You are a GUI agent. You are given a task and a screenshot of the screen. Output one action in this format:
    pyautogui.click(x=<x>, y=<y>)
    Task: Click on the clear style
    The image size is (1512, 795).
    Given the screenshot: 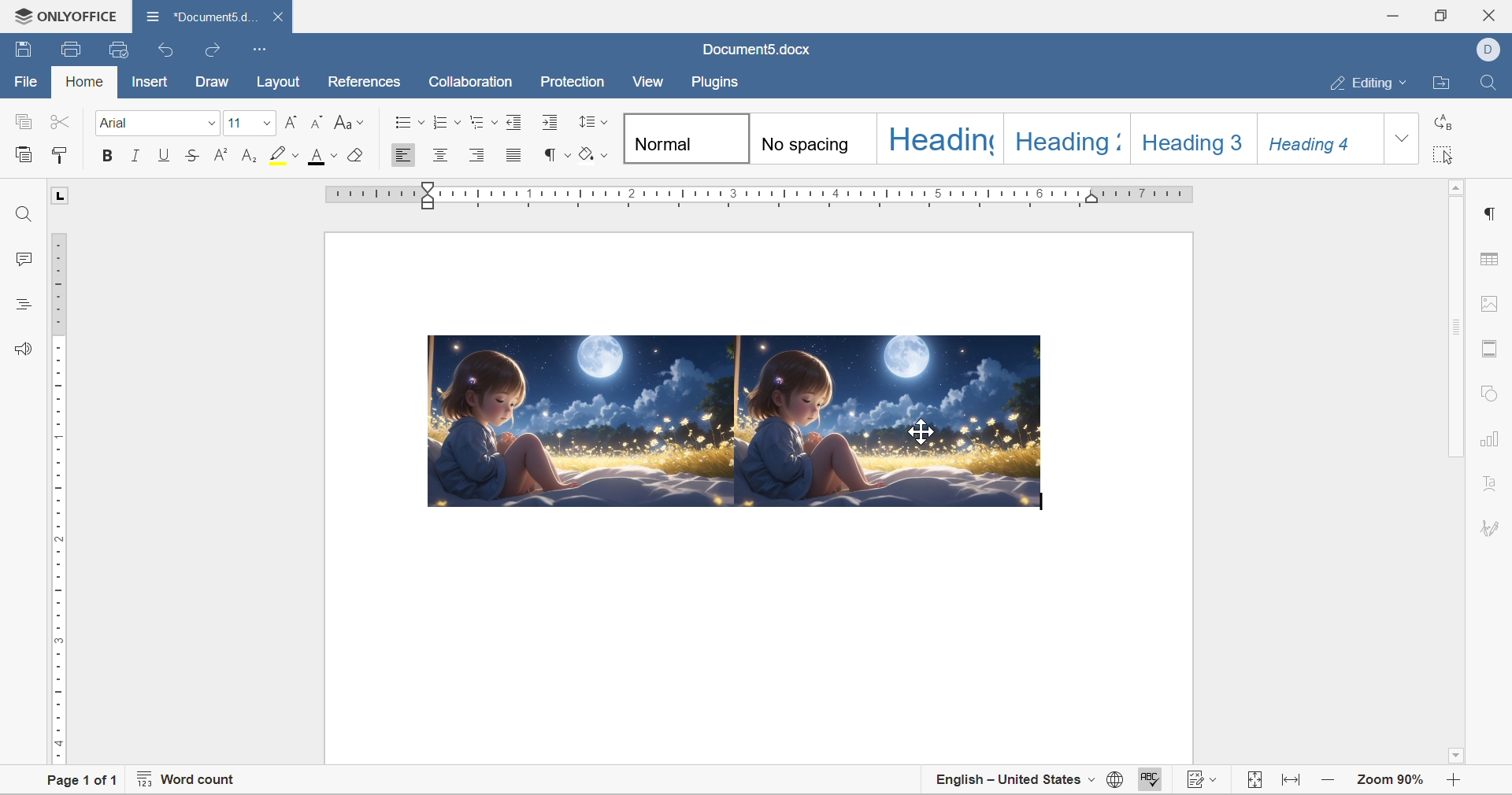 What is the action you would take?
    pyautogui.click(x=355, y=154)
    